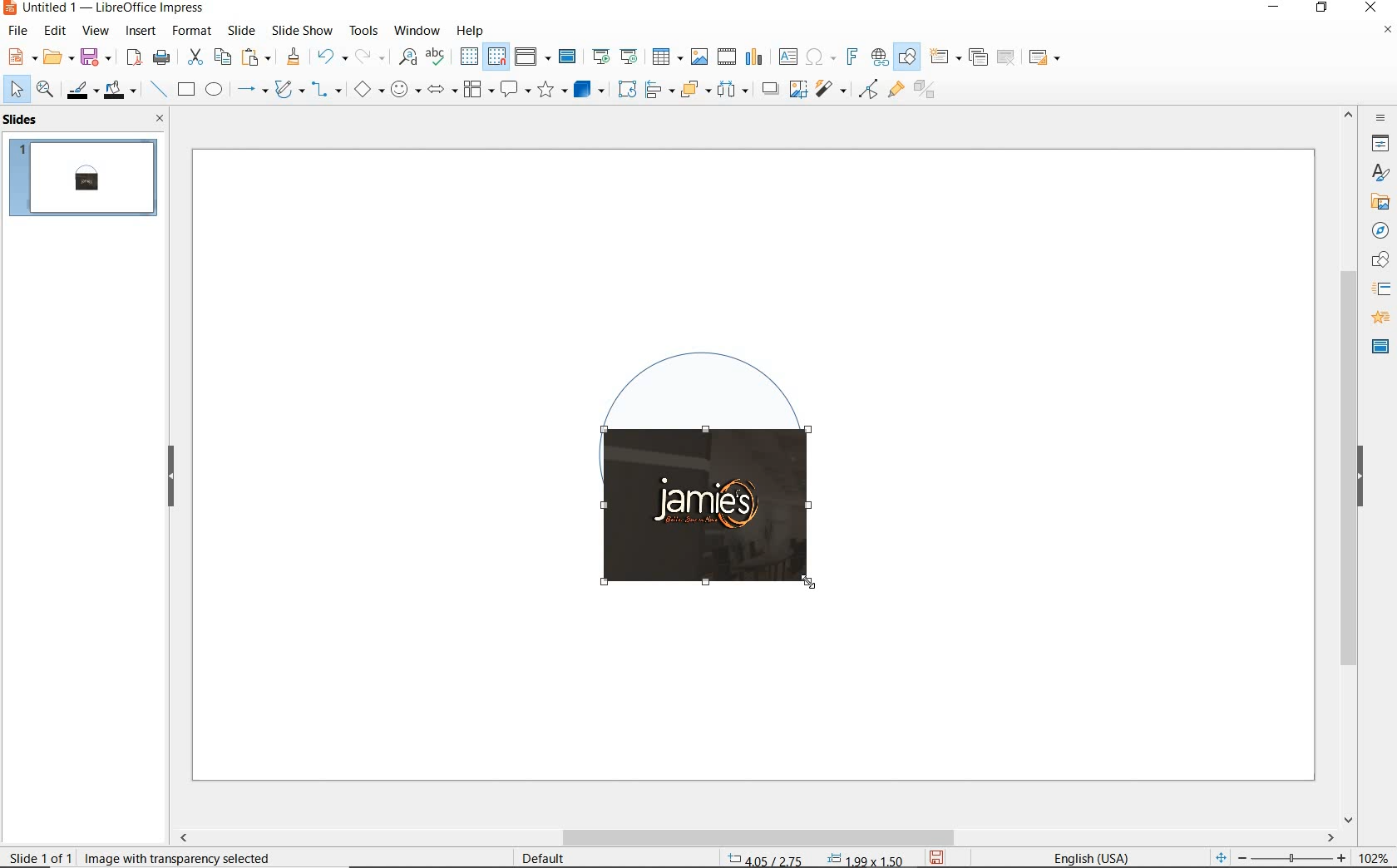 The height and width of the screenshot is (868, 1397). I want to click on close, so click(155, 118).